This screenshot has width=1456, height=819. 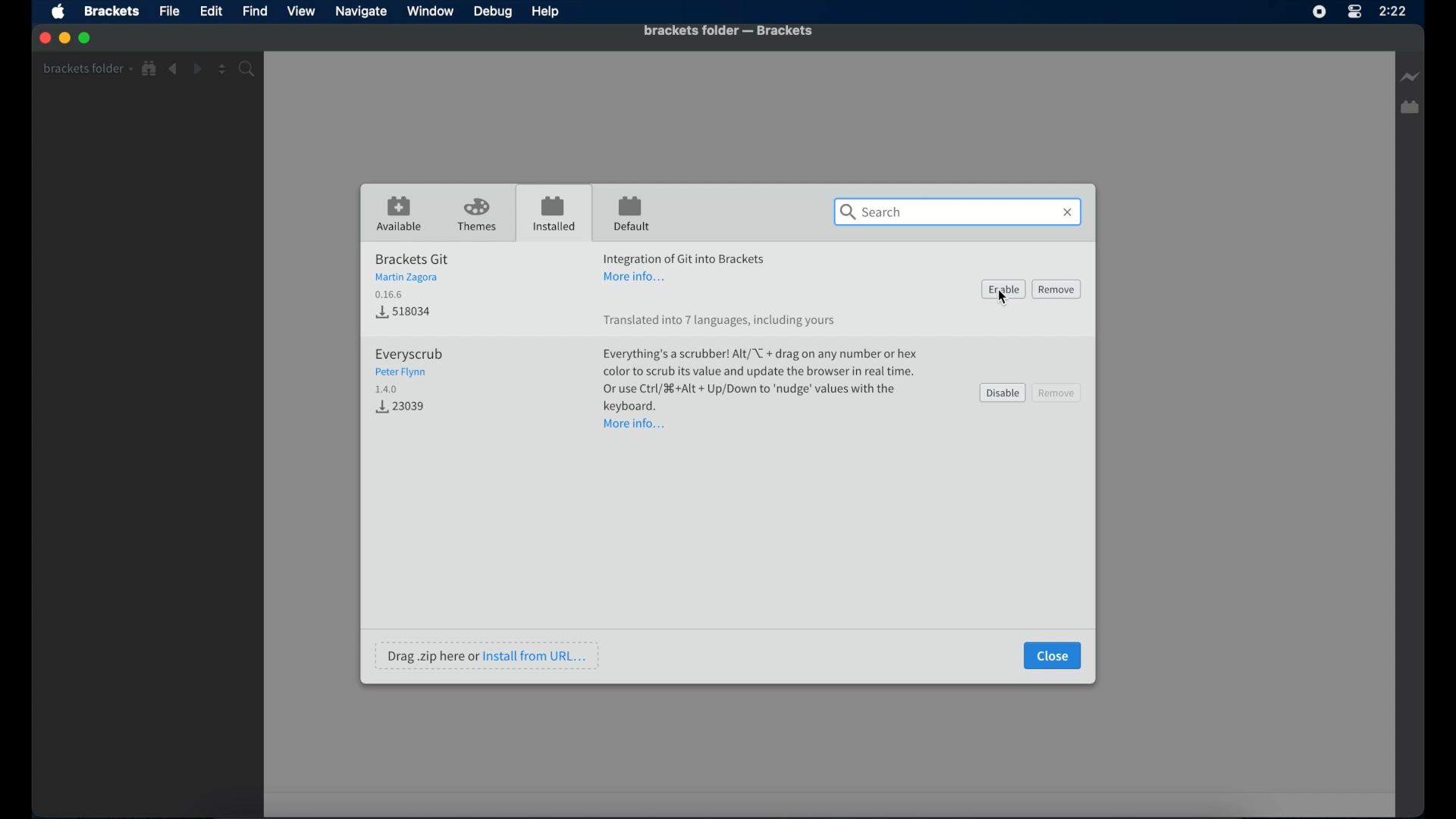 What do you see at coordinates (1002, 302) in the screenshot?
I see `cursor` at bounding box center [1002, 302].